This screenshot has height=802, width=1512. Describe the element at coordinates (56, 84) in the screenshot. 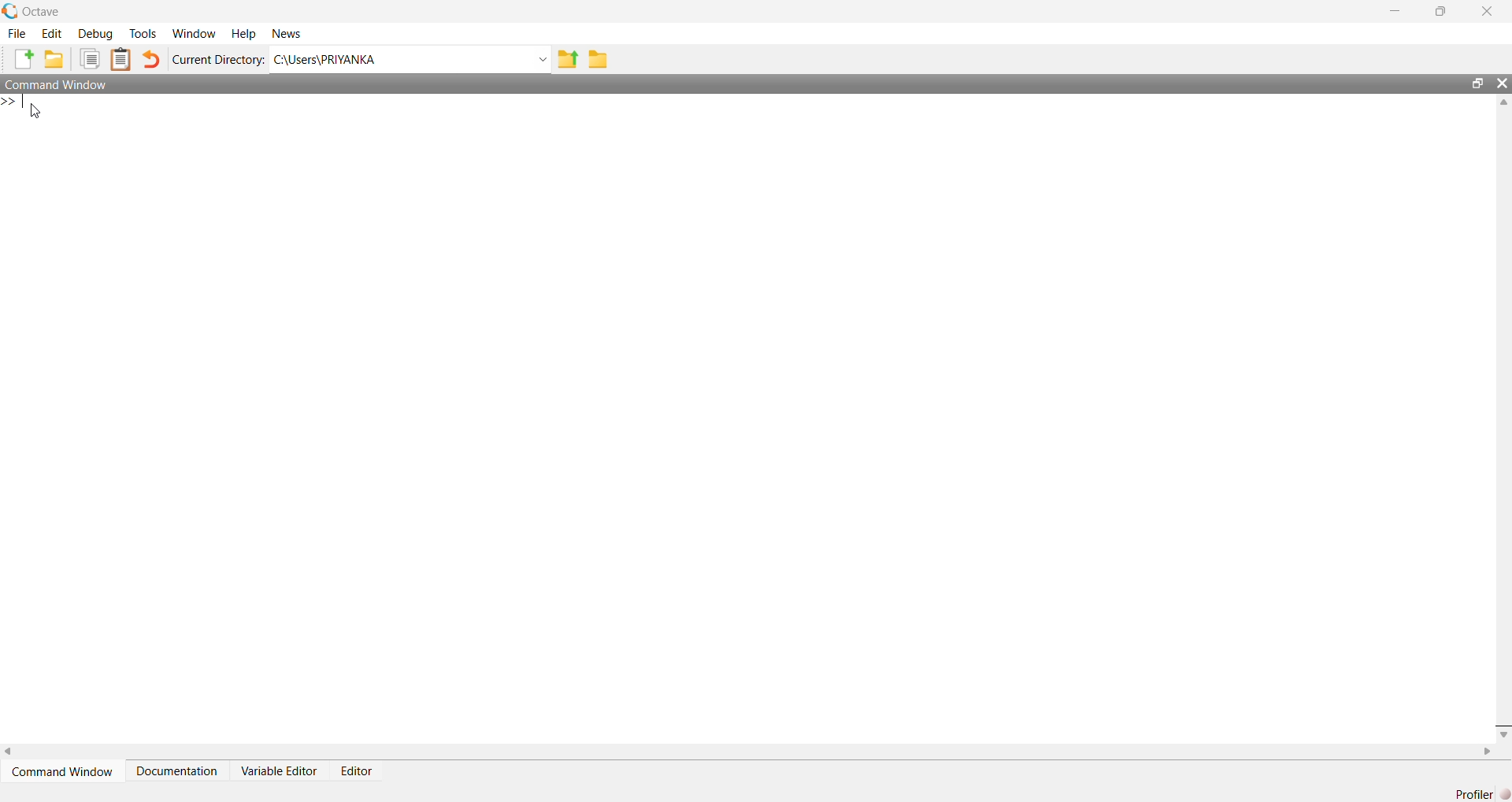

I see `Command window` at that location.